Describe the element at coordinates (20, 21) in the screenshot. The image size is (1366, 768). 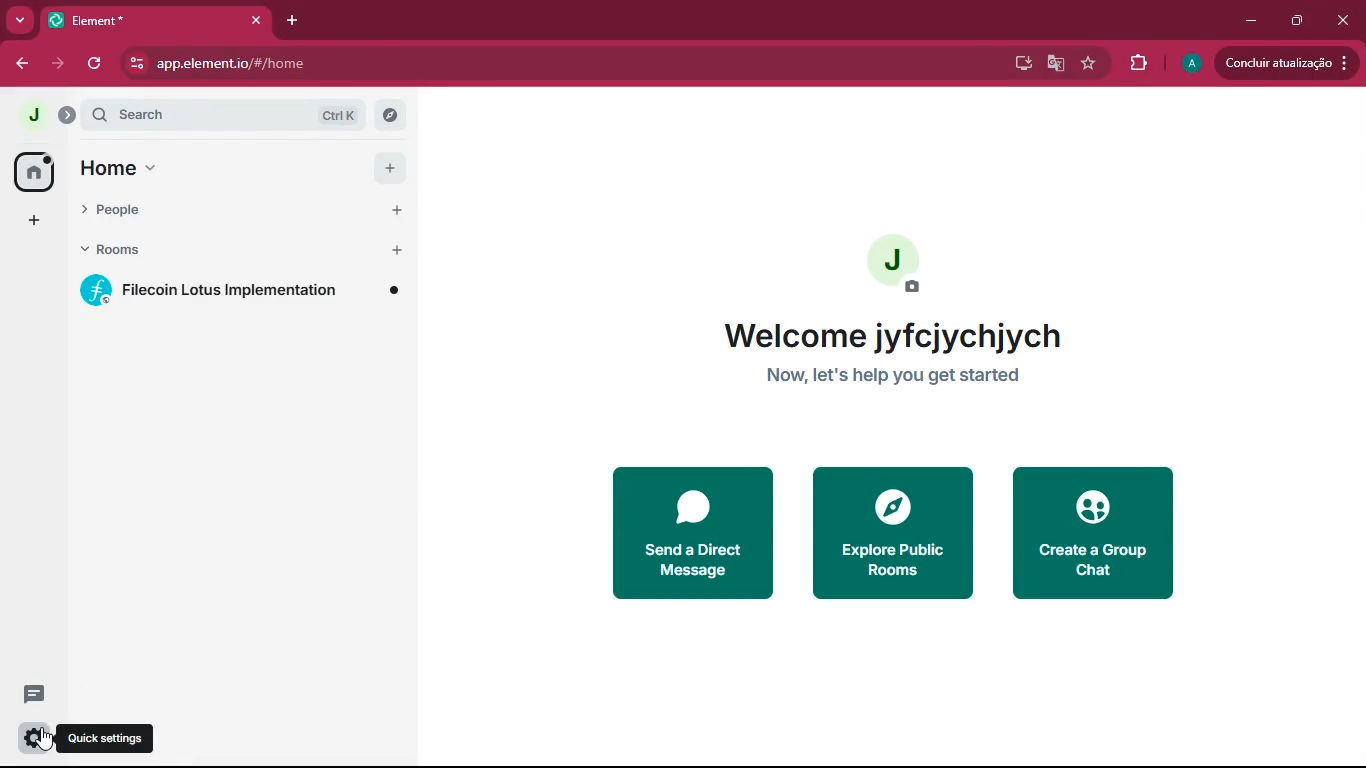
I see `more` at that location.